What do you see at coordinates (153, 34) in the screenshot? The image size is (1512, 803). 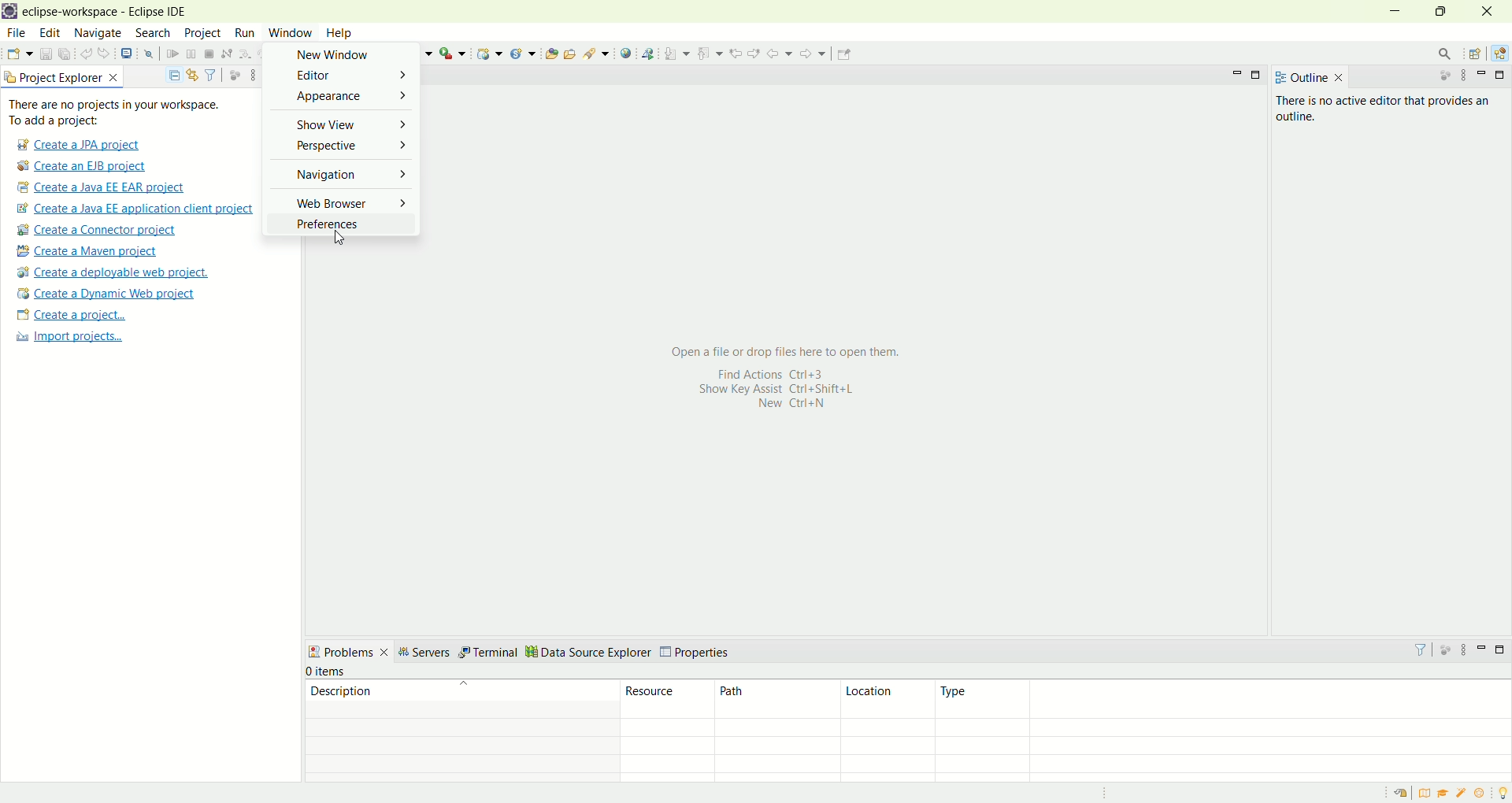 I see `search` at bounding box center [153, 34].